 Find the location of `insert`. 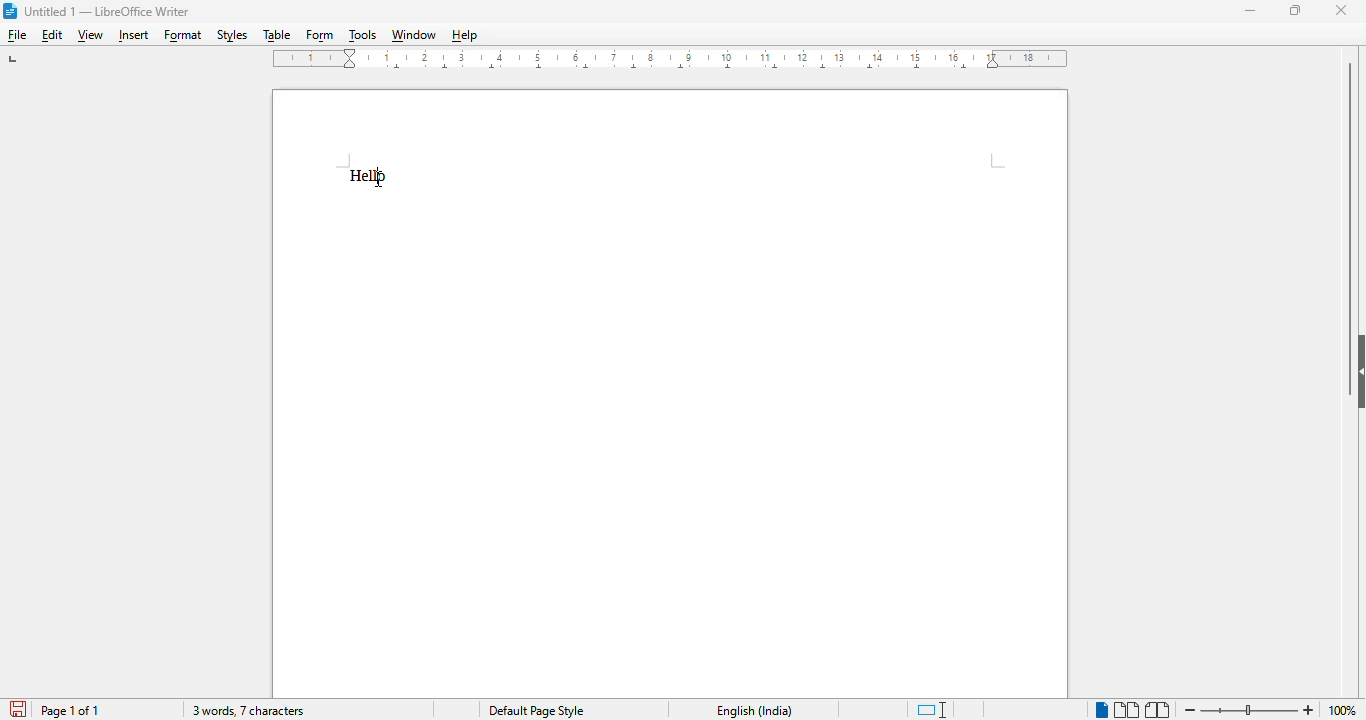

insert is located at coordinates (131, 36).